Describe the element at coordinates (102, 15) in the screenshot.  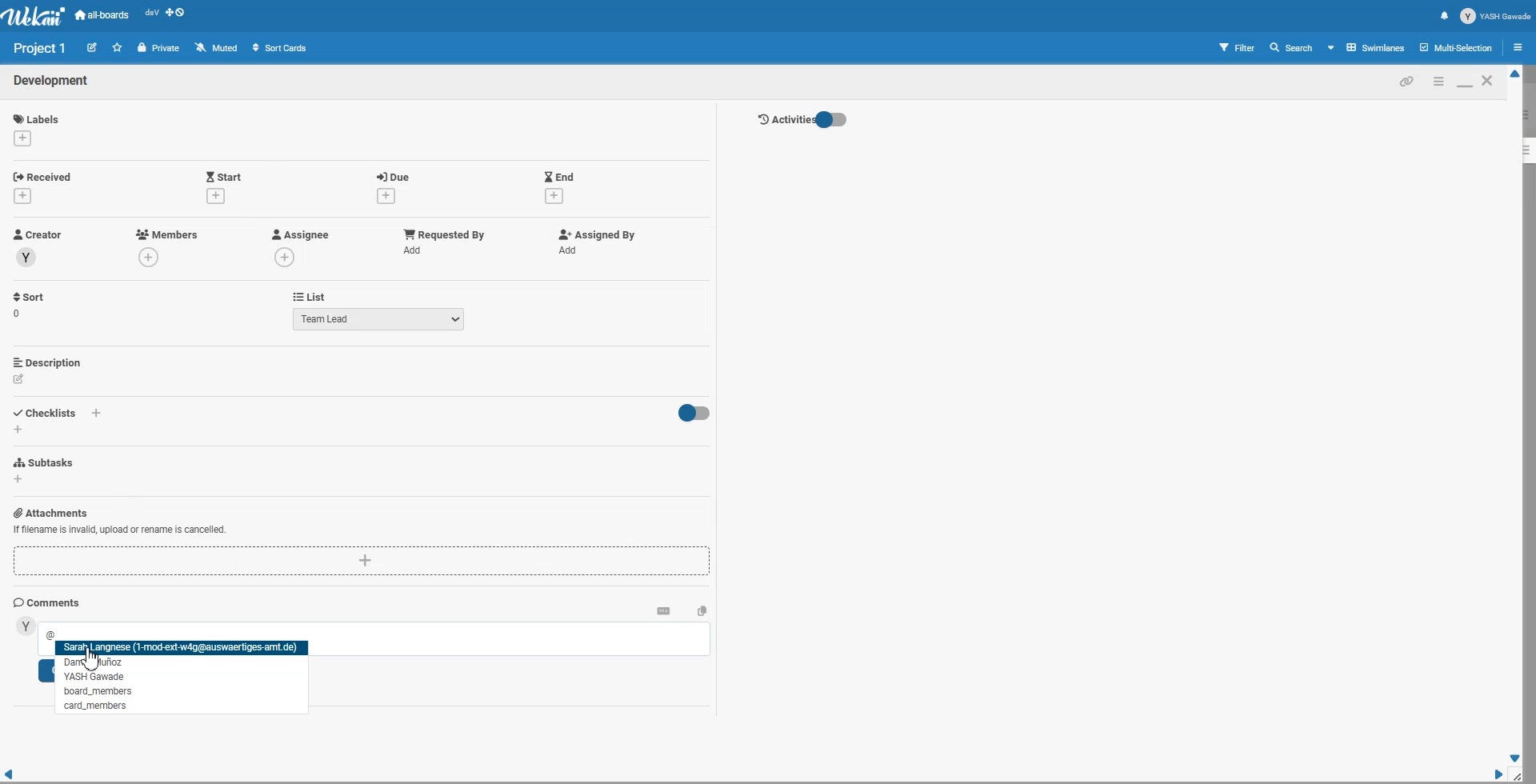
I see `all-boards` at that location.